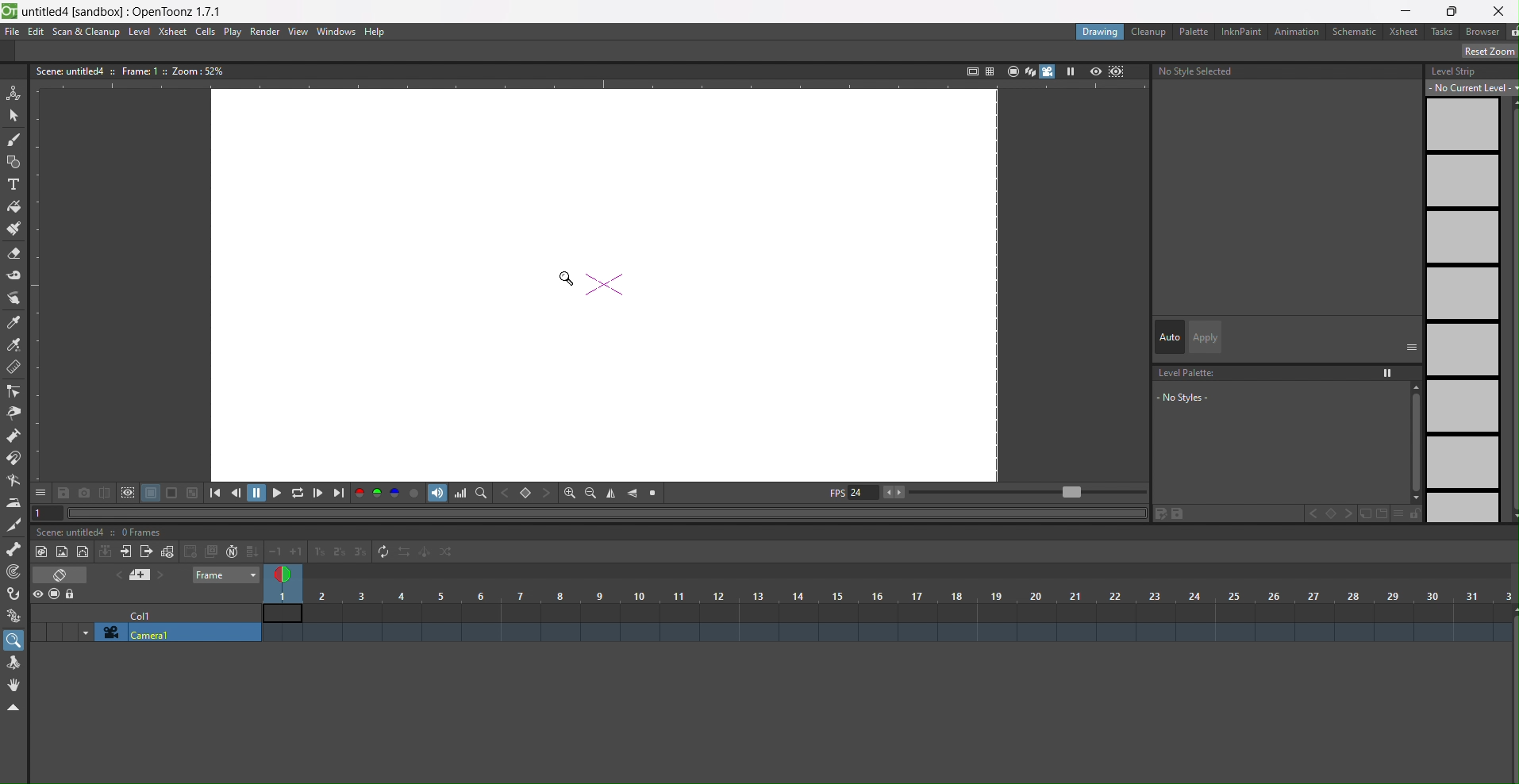 Image resolution: width=1519 pixels, height=784 pixels. Describe the element at coordinates (1240, 31) in the screenshot. I see `inknpaint` at that location.